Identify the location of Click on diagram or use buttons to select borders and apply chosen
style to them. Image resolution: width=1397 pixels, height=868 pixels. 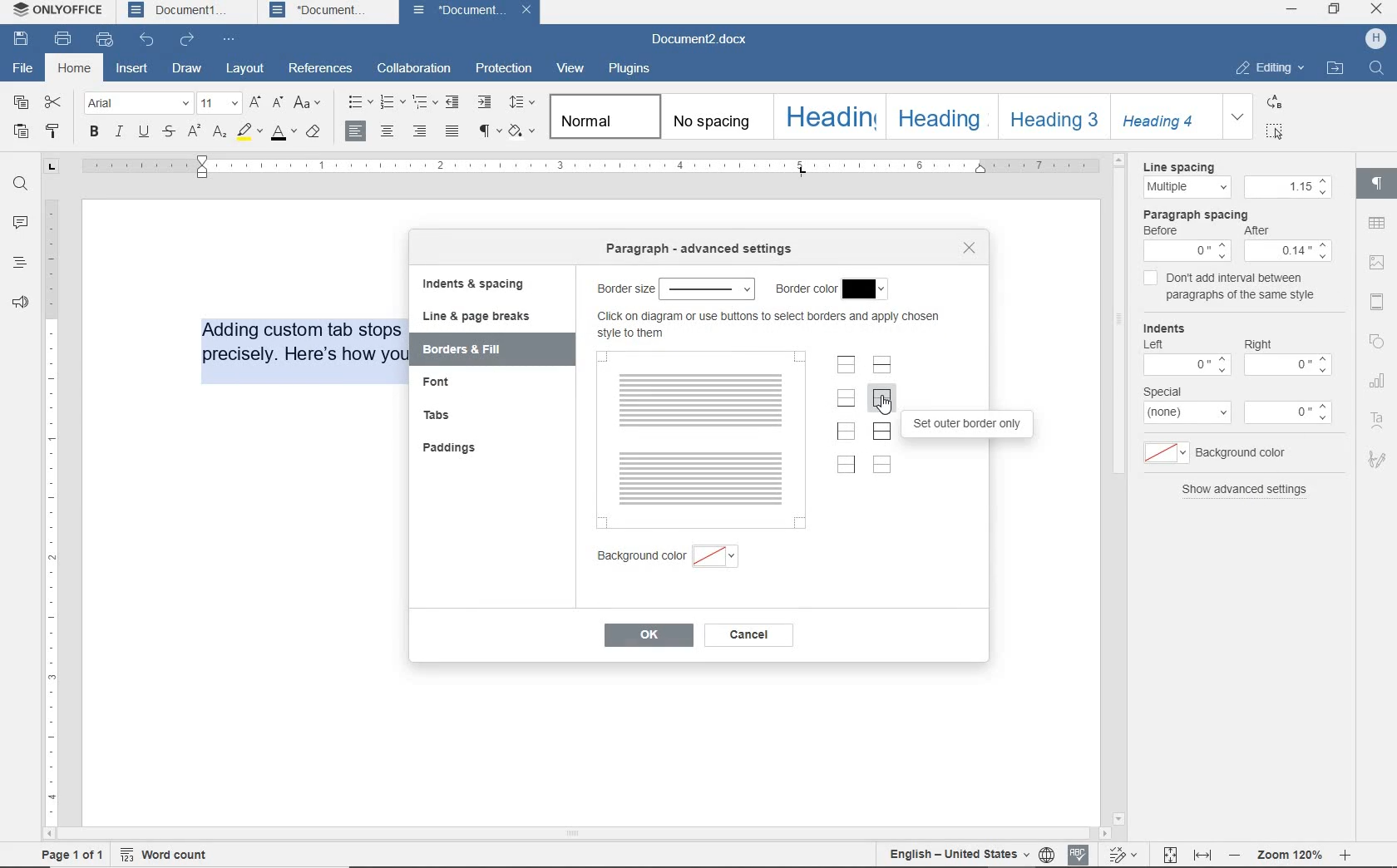
(772, 324).